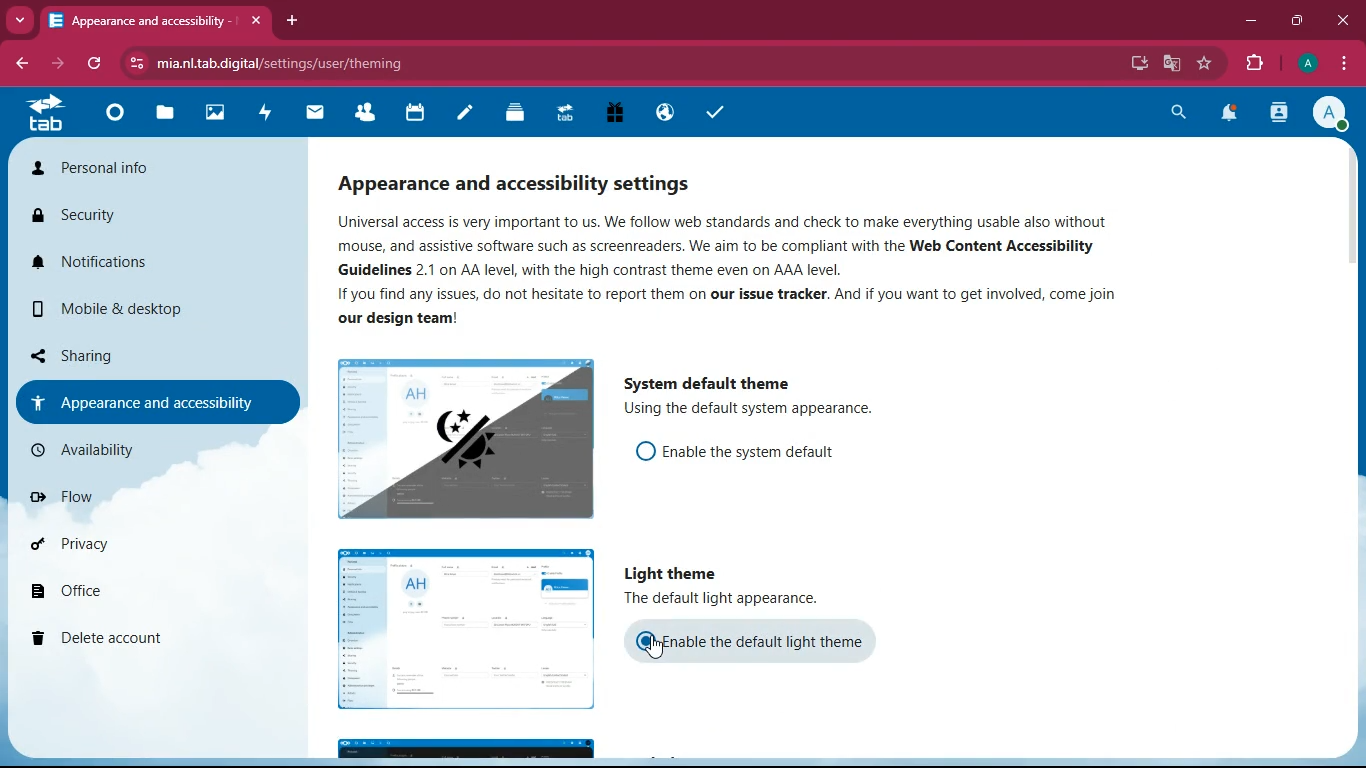 Image resolution: width=1366 pixels, height=768 pixels. Describe the element at coordinates (214, 115) in the screenshot. I see `images` at that location.